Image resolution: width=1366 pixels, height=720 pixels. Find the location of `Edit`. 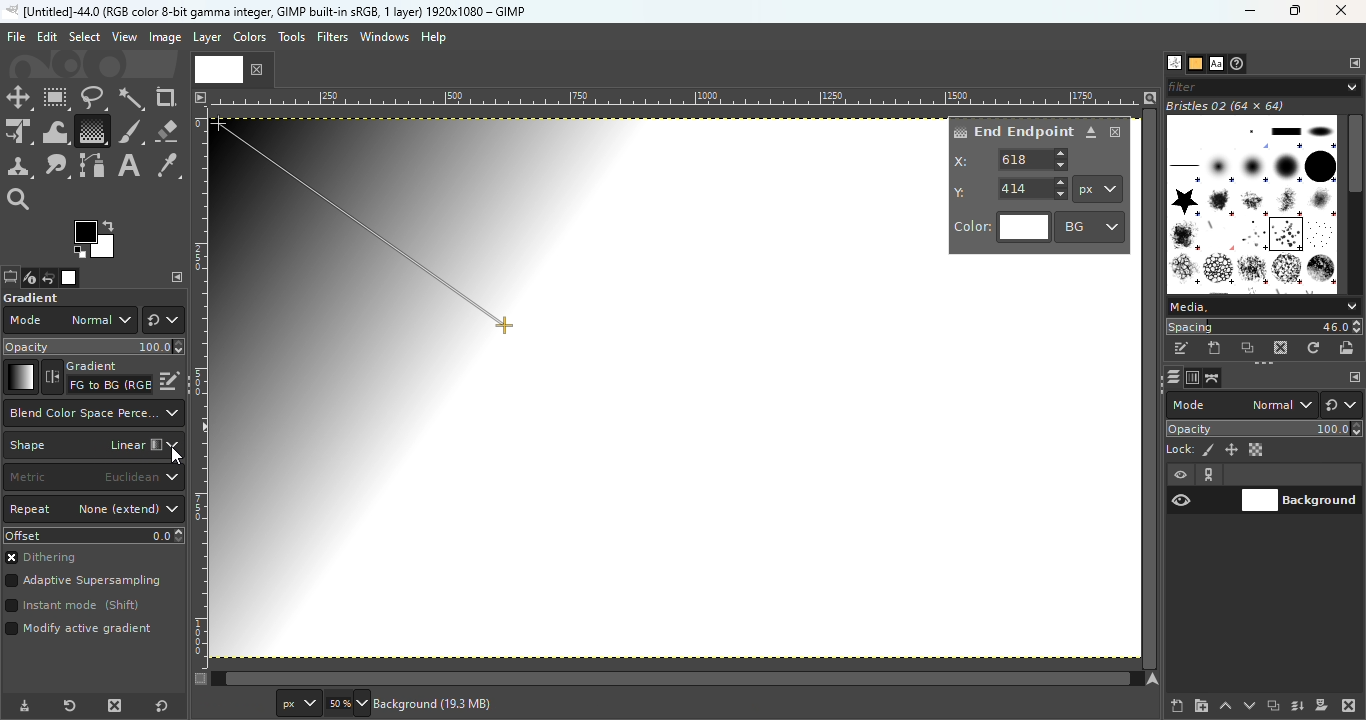

Edit is located at coordinates (47, 37).